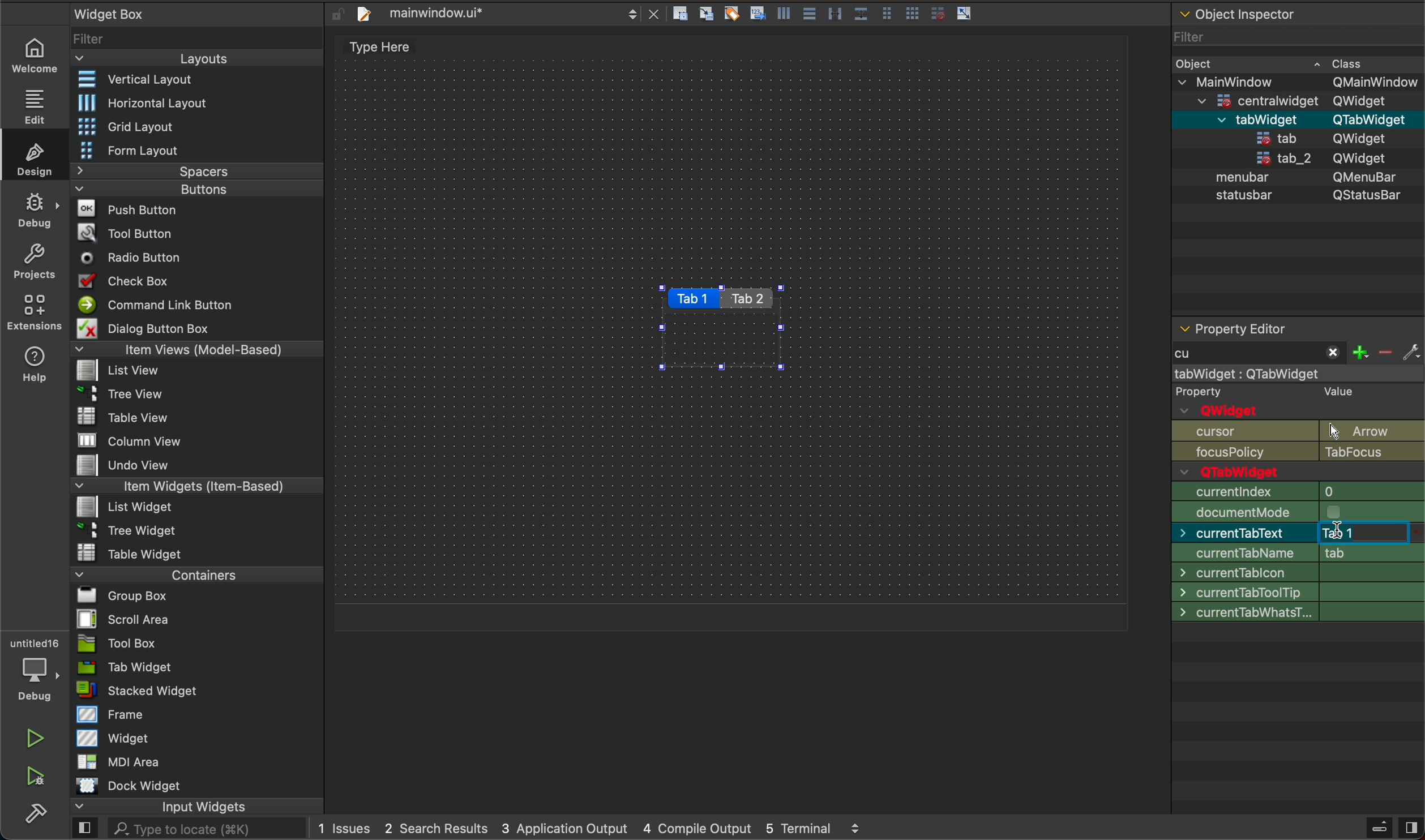 This screenshot has height=840, width=1425. Describe the element at coordinates (119, 507) in the screenshot. I see `List widget` at that location.